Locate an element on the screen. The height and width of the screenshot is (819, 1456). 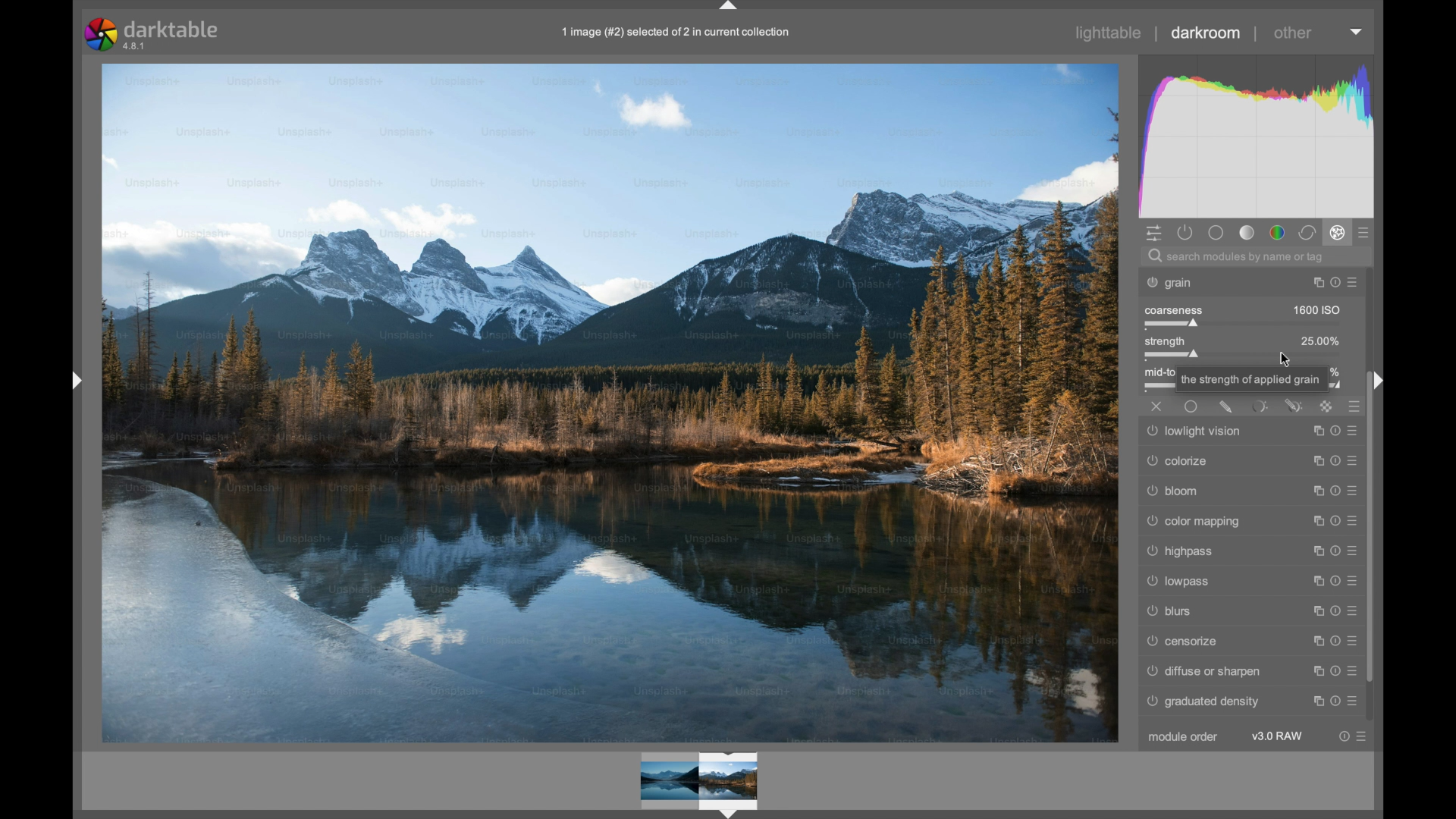
histogram is located at coordinates (1254, 134).